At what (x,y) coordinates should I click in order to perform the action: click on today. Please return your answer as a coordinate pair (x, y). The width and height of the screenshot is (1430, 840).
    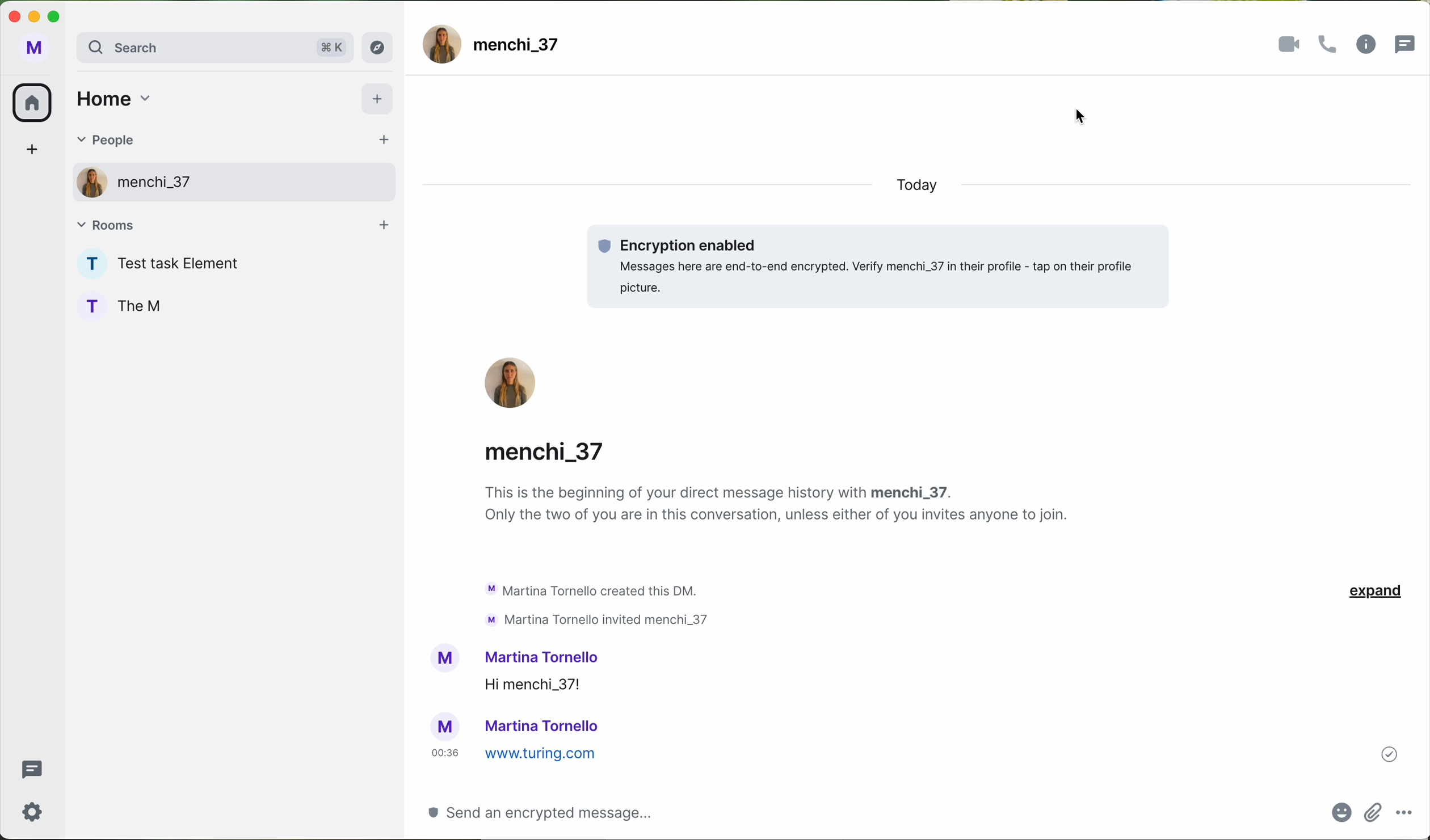
    Looking at the image, I should click on (911, 187).